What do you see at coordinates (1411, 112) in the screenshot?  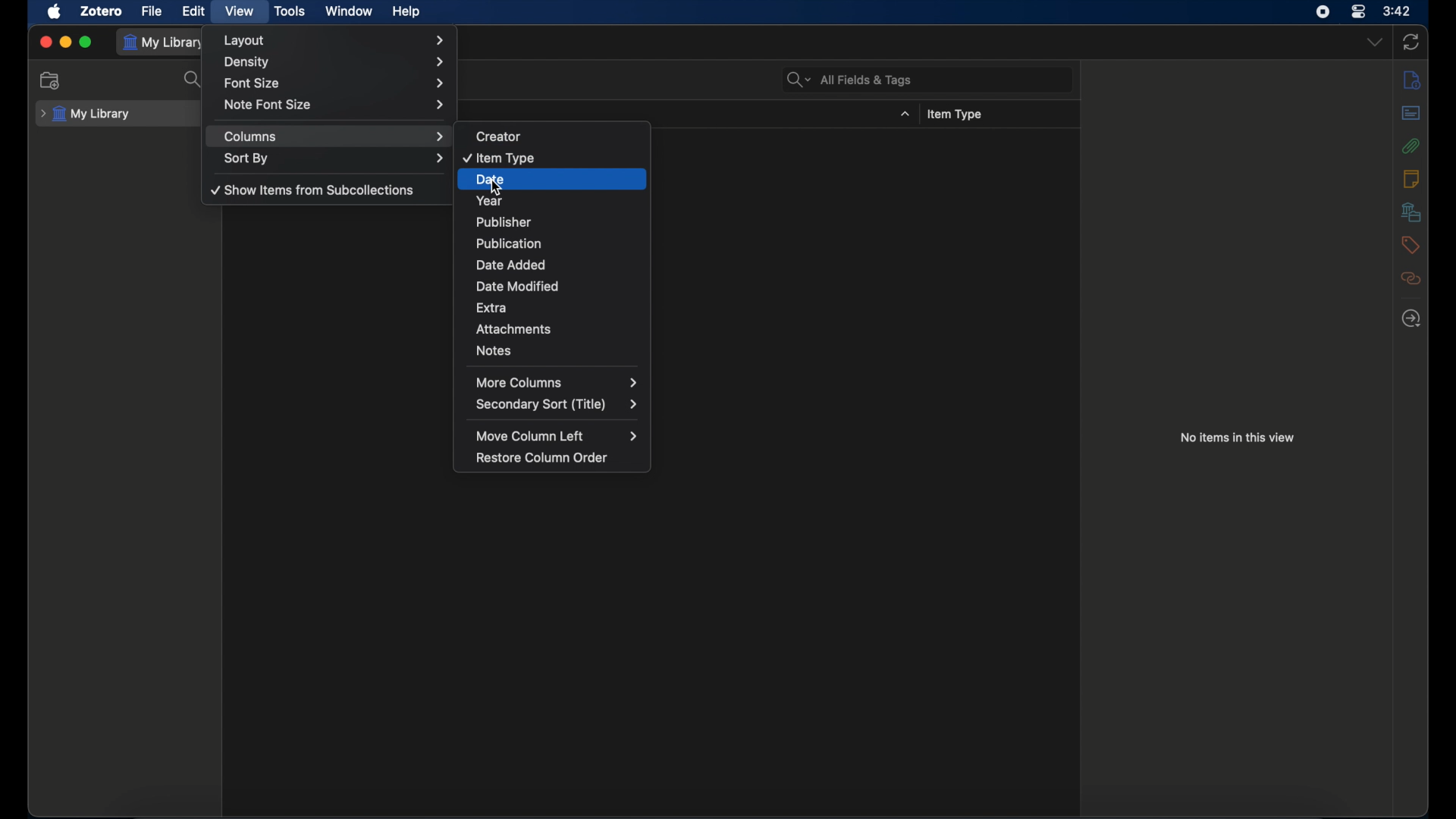 I see `abstract` at bounding box center [1411, 112].